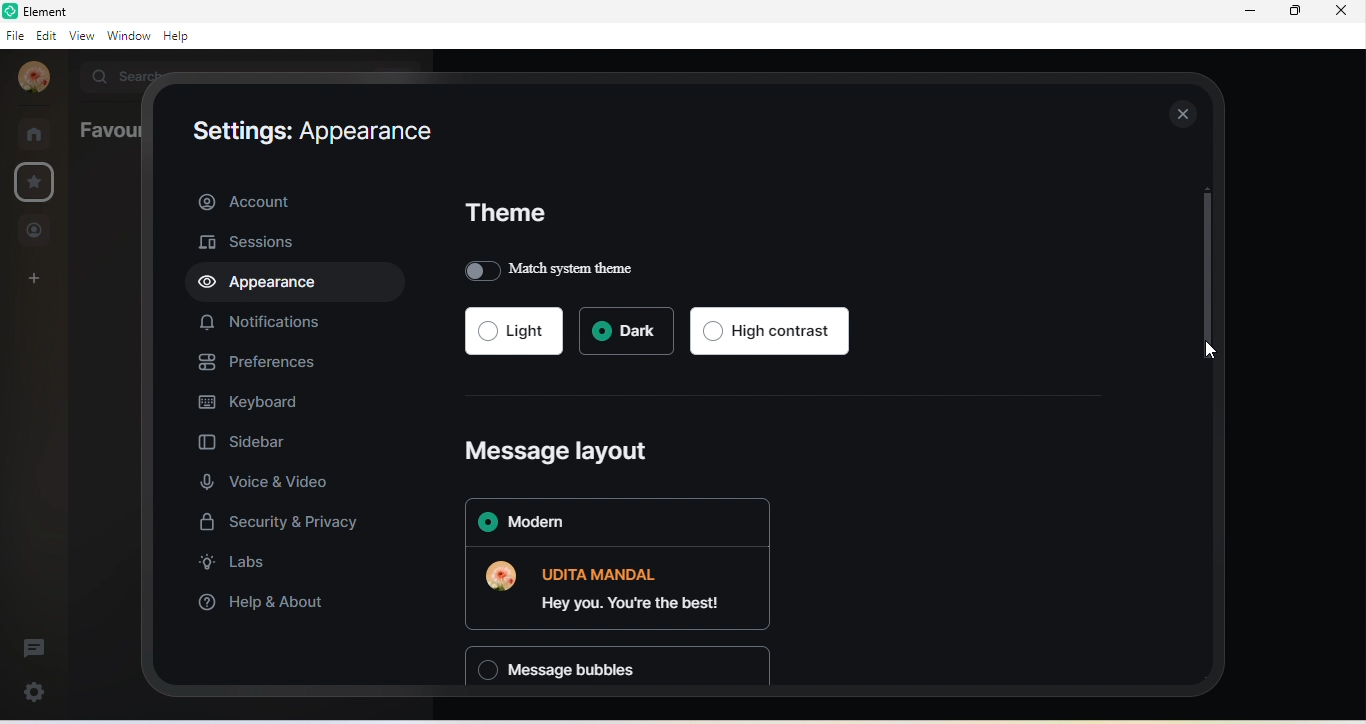 The image size is (1366, 724). Describe the element at coordinates (36, 132) in the screenshot. I see `rooms` at that location.